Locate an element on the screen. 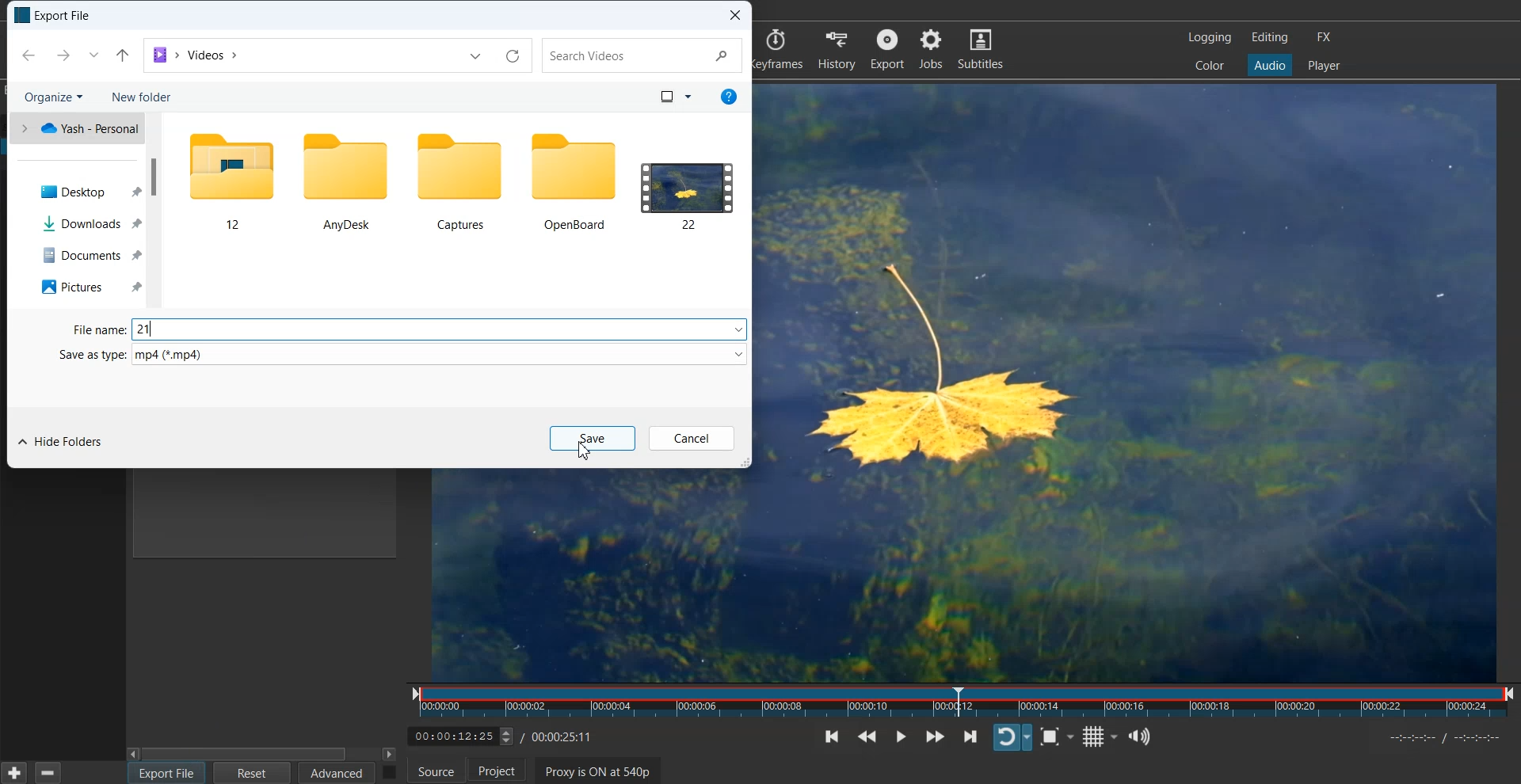 This screenshot has height=784, width=1521. Yash Personal is located at coordinates (83, 130).